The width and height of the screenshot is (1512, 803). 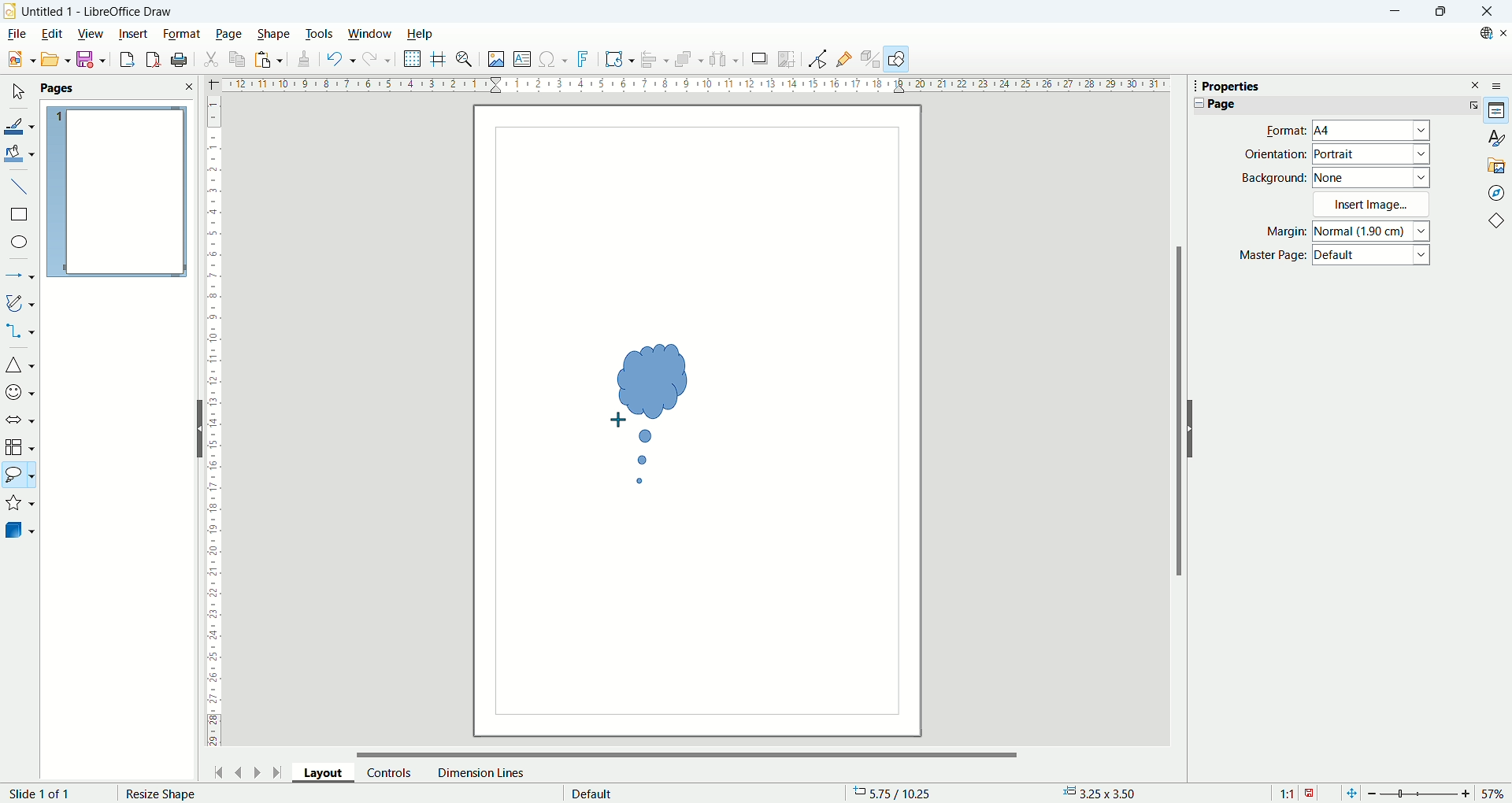 I want to click on window, so click(x=370, y=35).